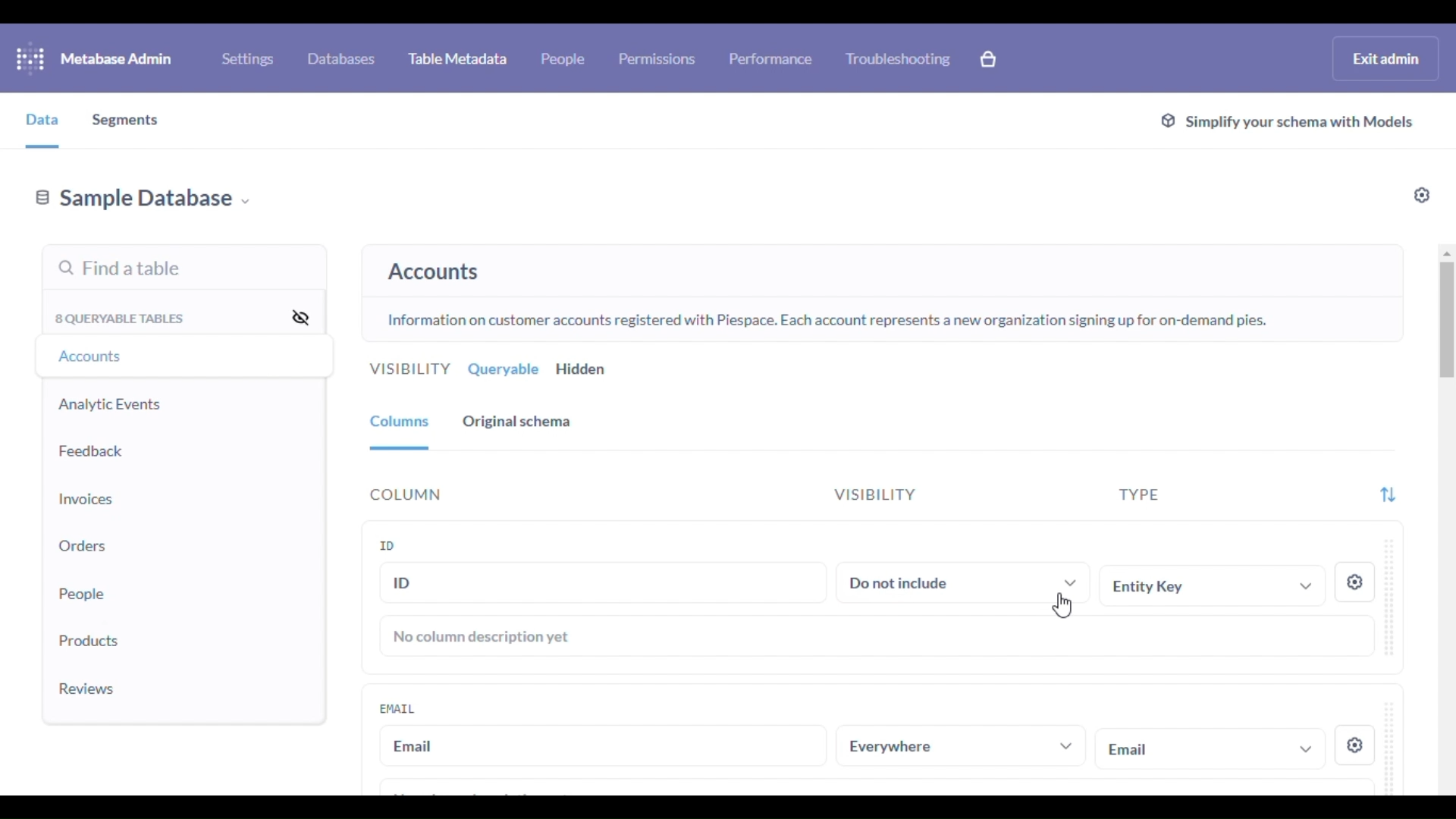 This screenshot has height=819, width=1456. I want to click on entity key, so click(1211, 585).